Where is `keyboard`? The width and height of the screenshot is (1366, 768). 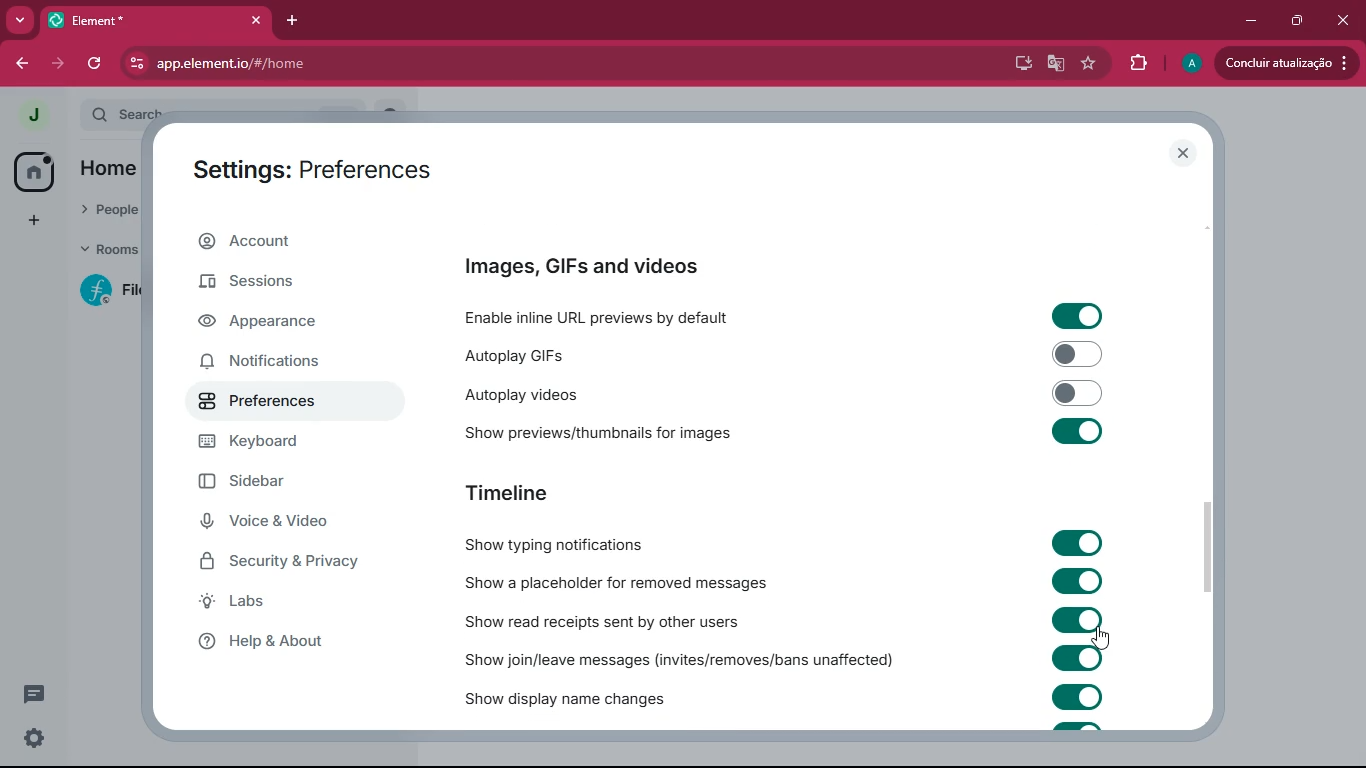 keyboard is located at coordinates (283, 445).